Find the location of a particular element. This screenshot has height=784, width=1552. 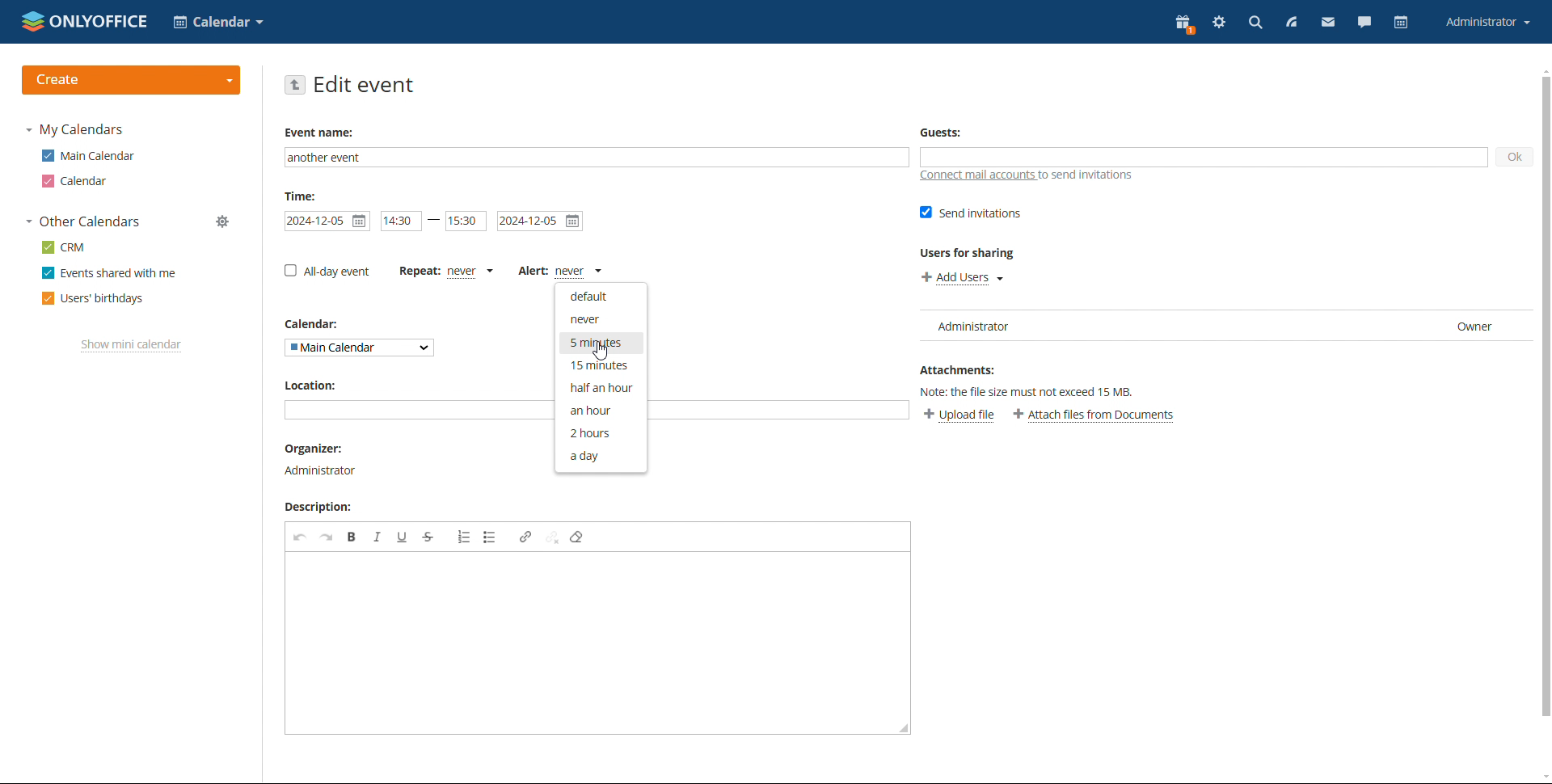

send invitations is located at coordinates (972, 213).